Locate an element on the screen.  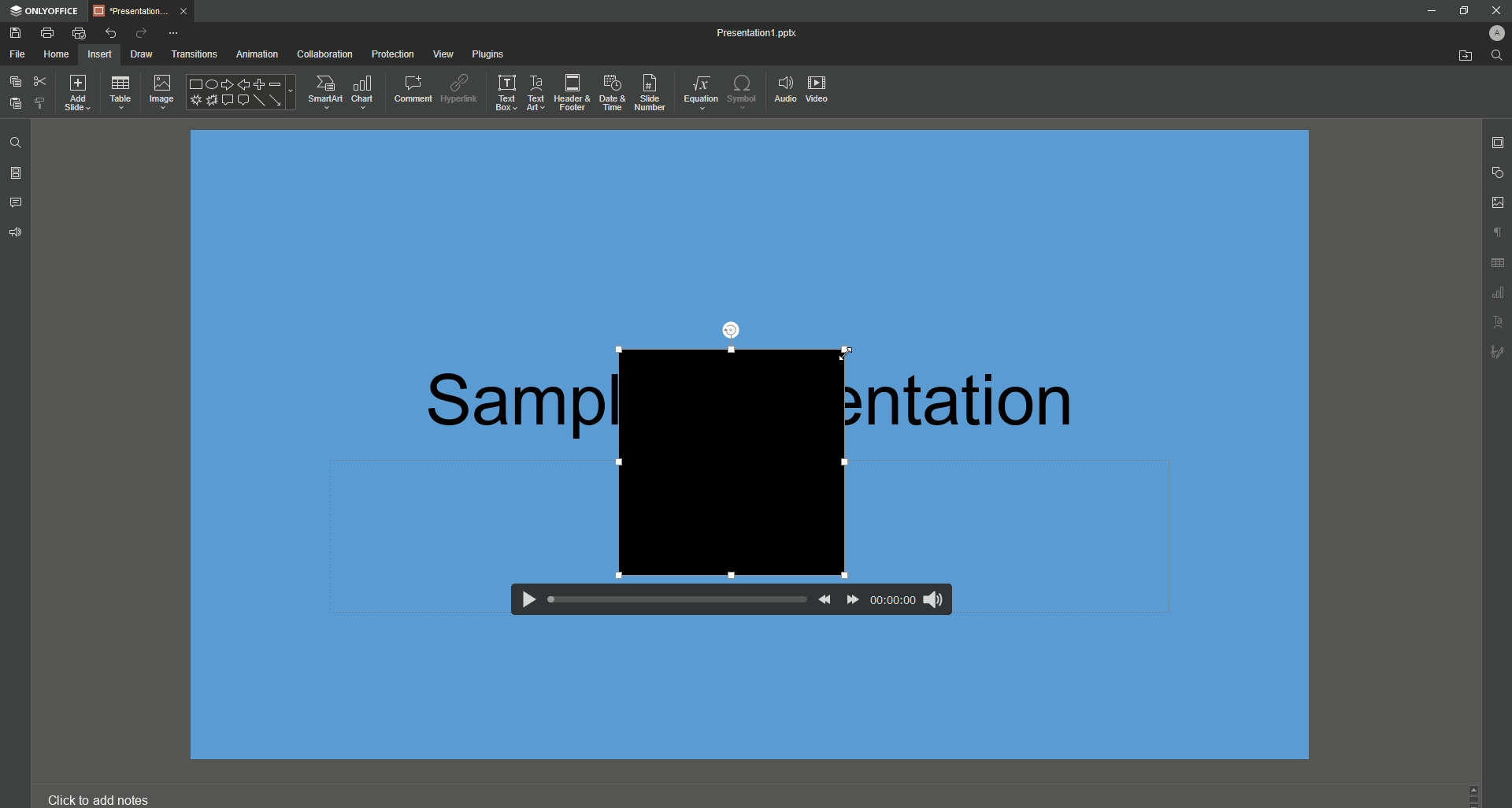
Redo is located at coordinates (140, 33).